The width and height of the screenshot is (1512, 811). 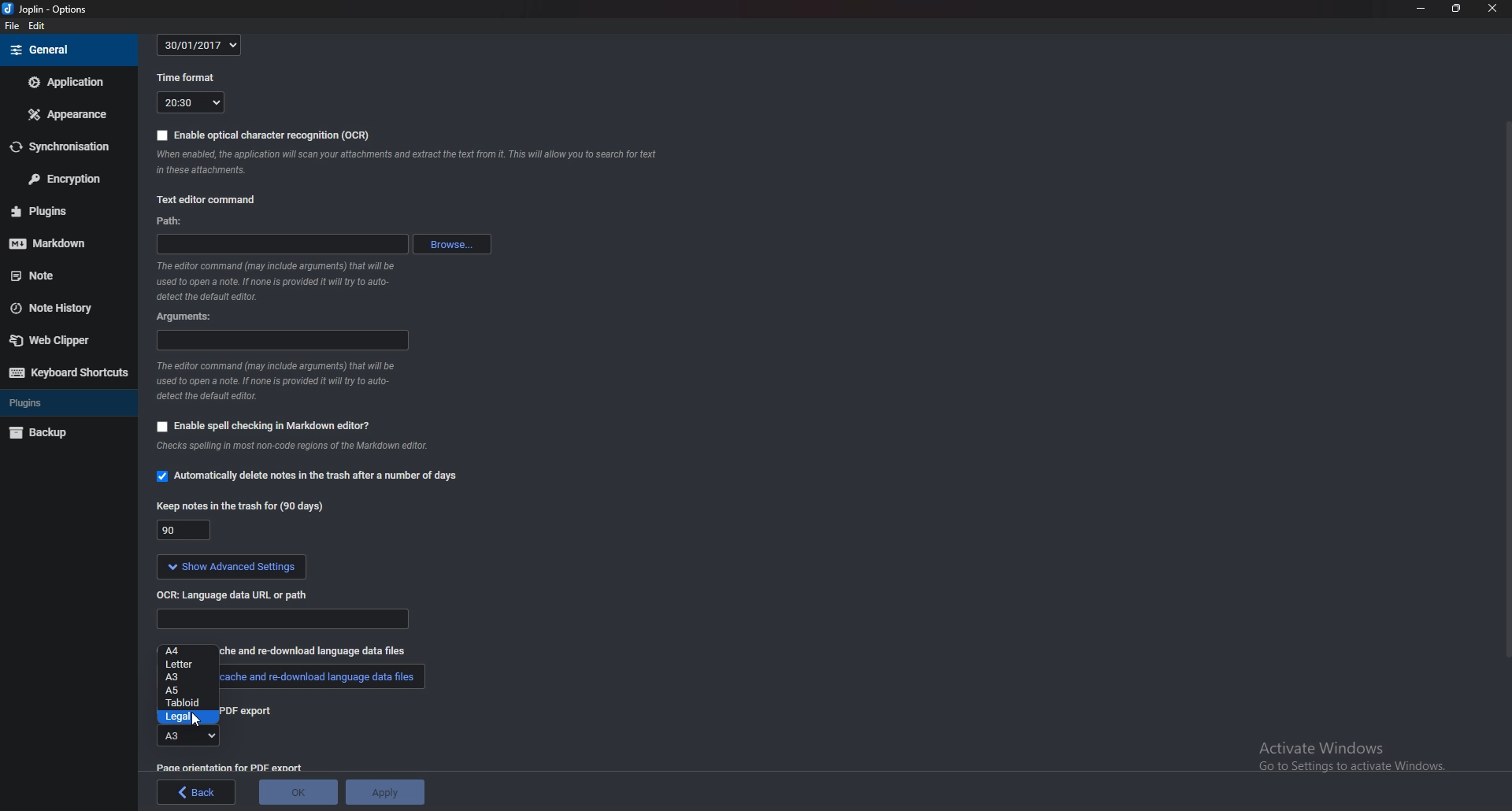 I want to click on markdown, so click(x=65, y=244).